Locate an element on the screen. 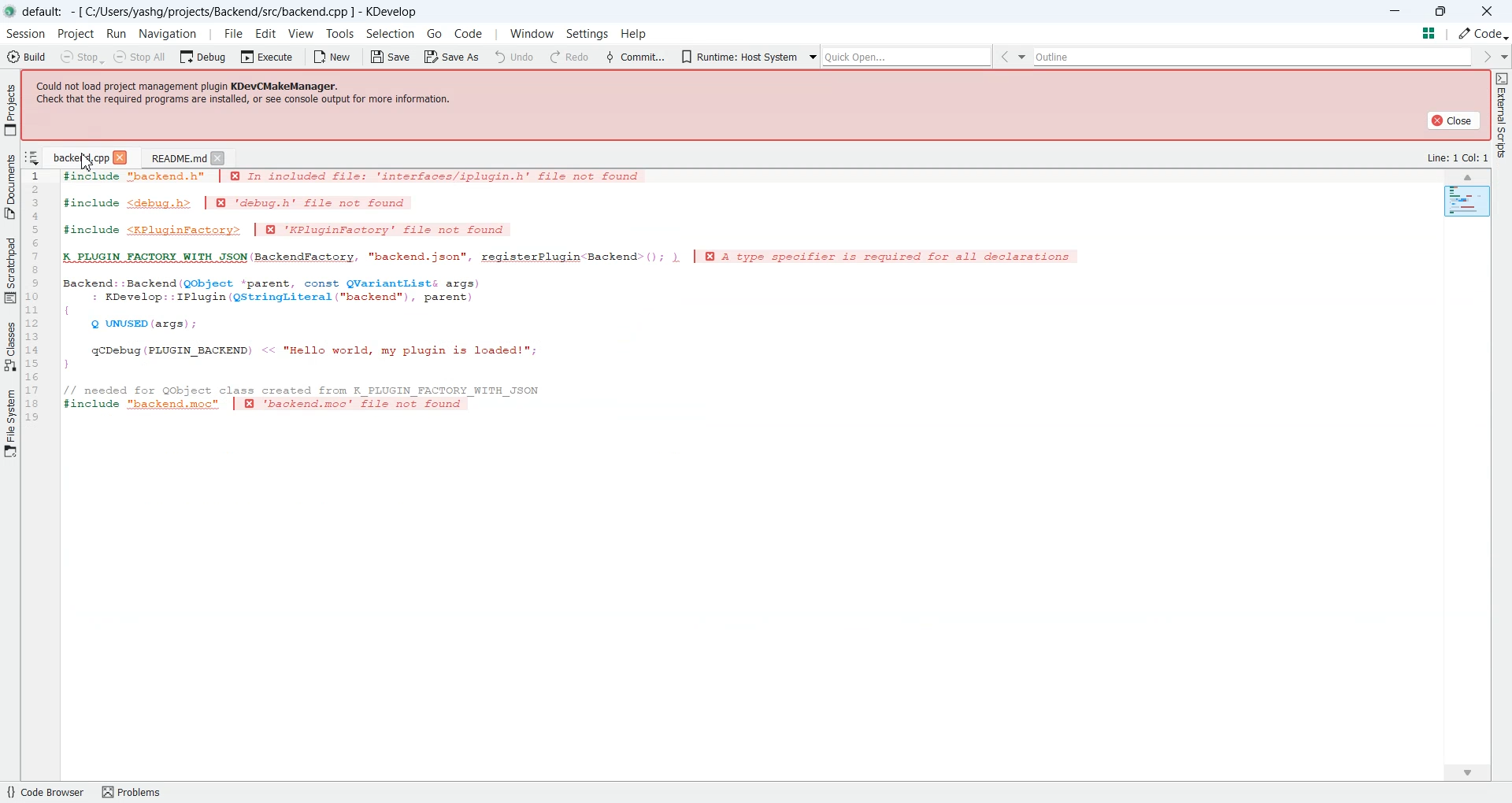 Image resolution: width=1512 pixels, height=803 pixels. Session is located at coordinates (24, 34).